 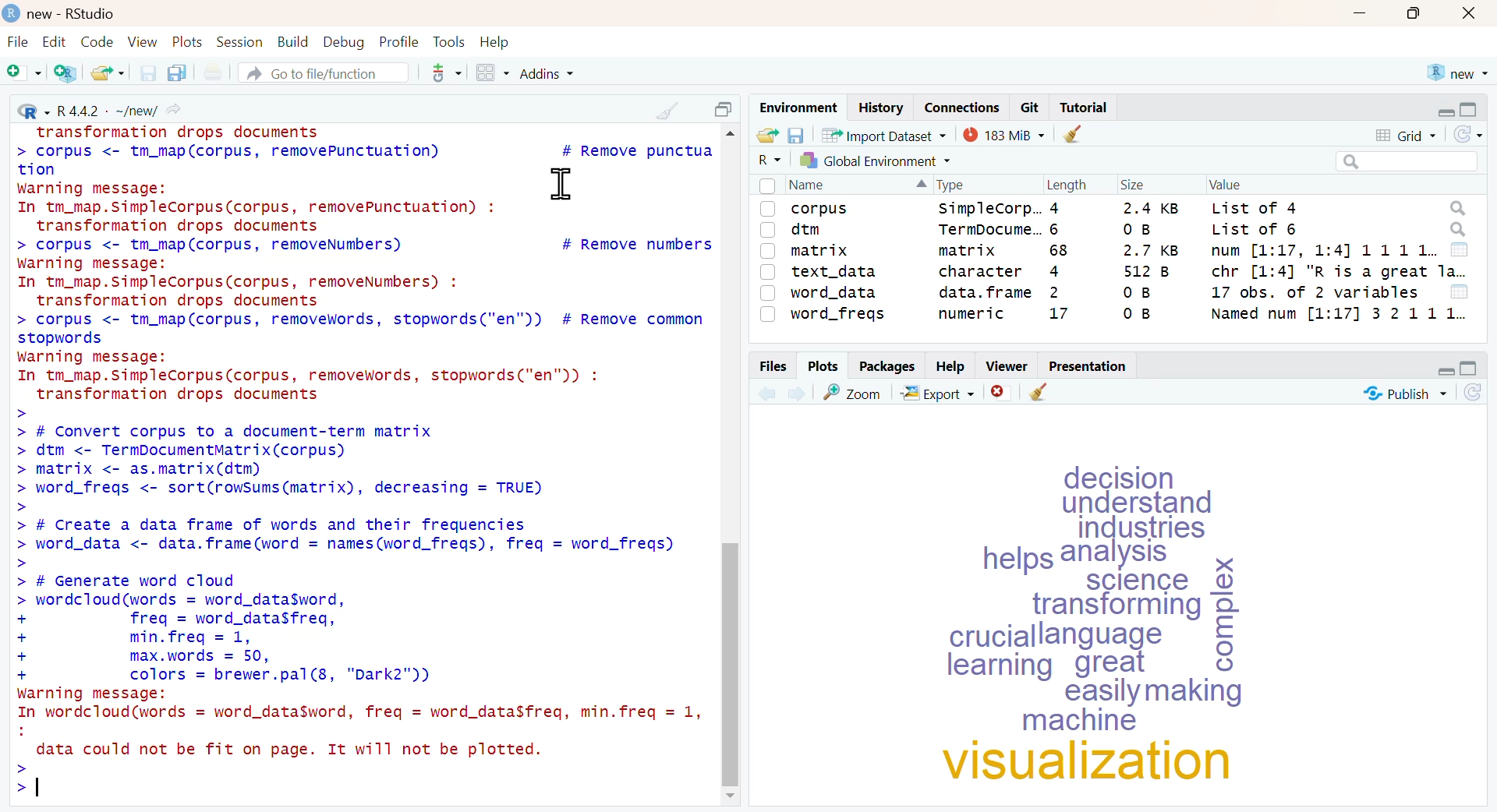 I want to click on Check box, so click(x=767, y=292).